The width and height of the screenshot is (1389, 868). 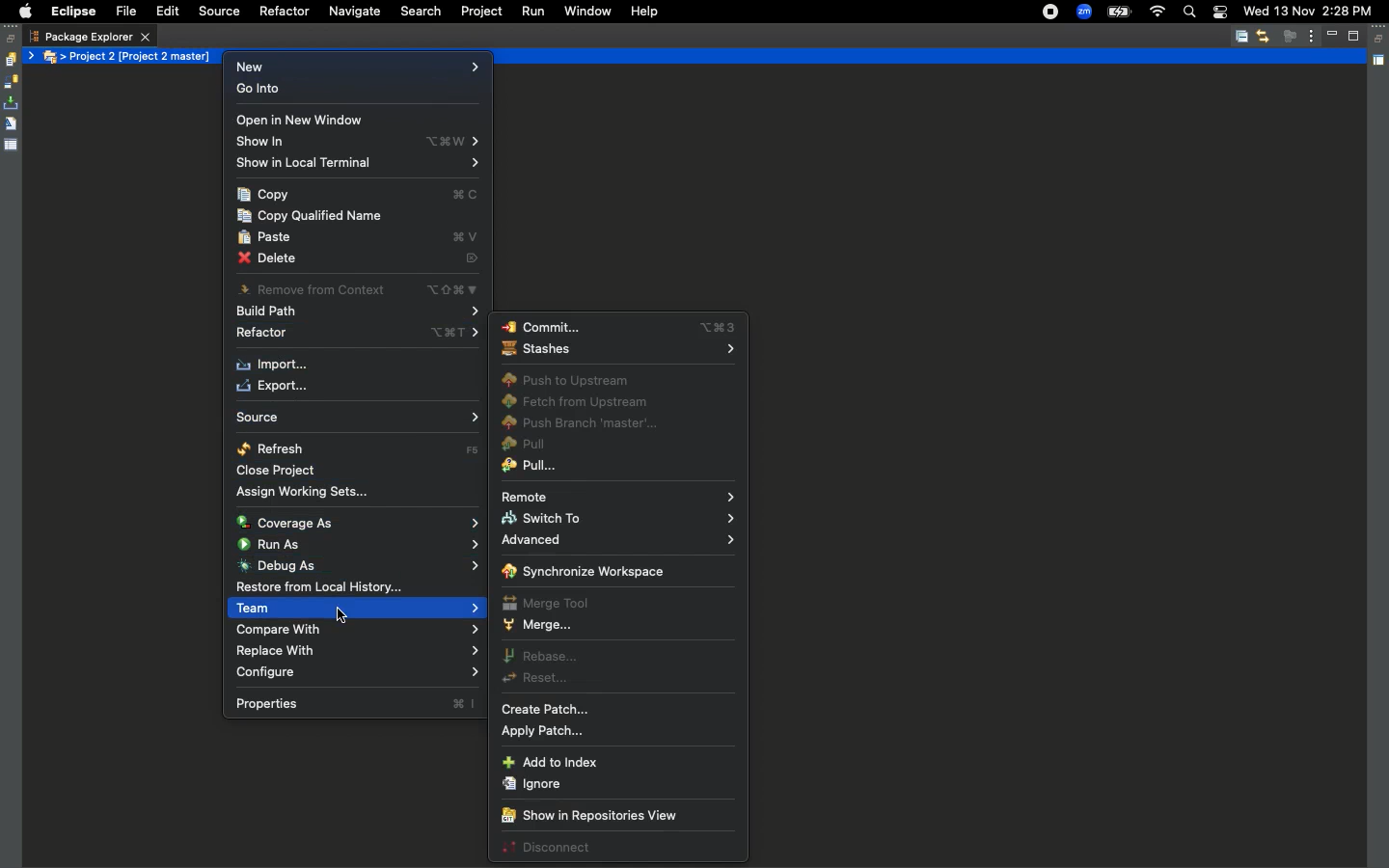 I want to click on File, so click(x=124, y=13).